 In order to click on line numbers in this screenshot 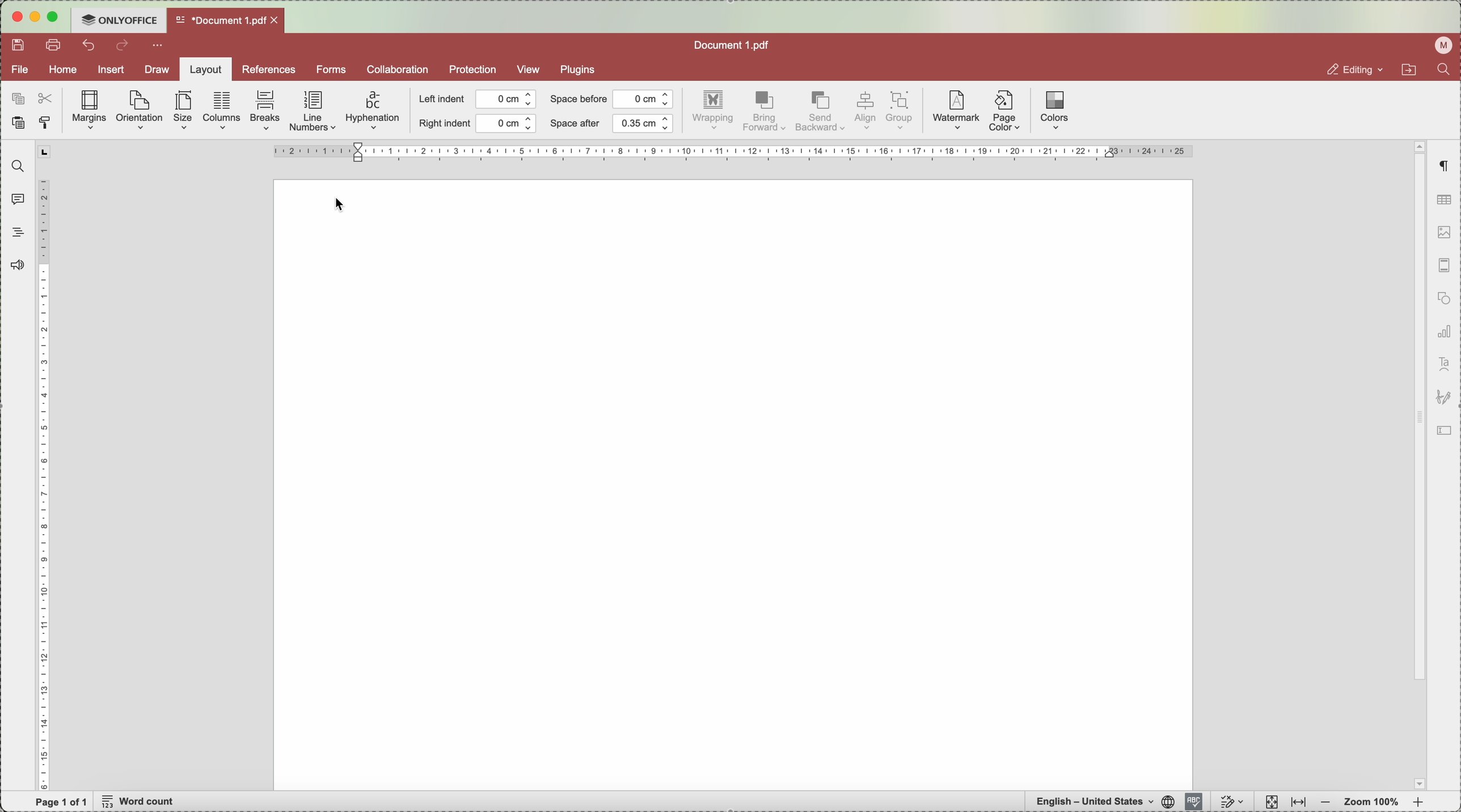, I will do `click(314, 112)`.